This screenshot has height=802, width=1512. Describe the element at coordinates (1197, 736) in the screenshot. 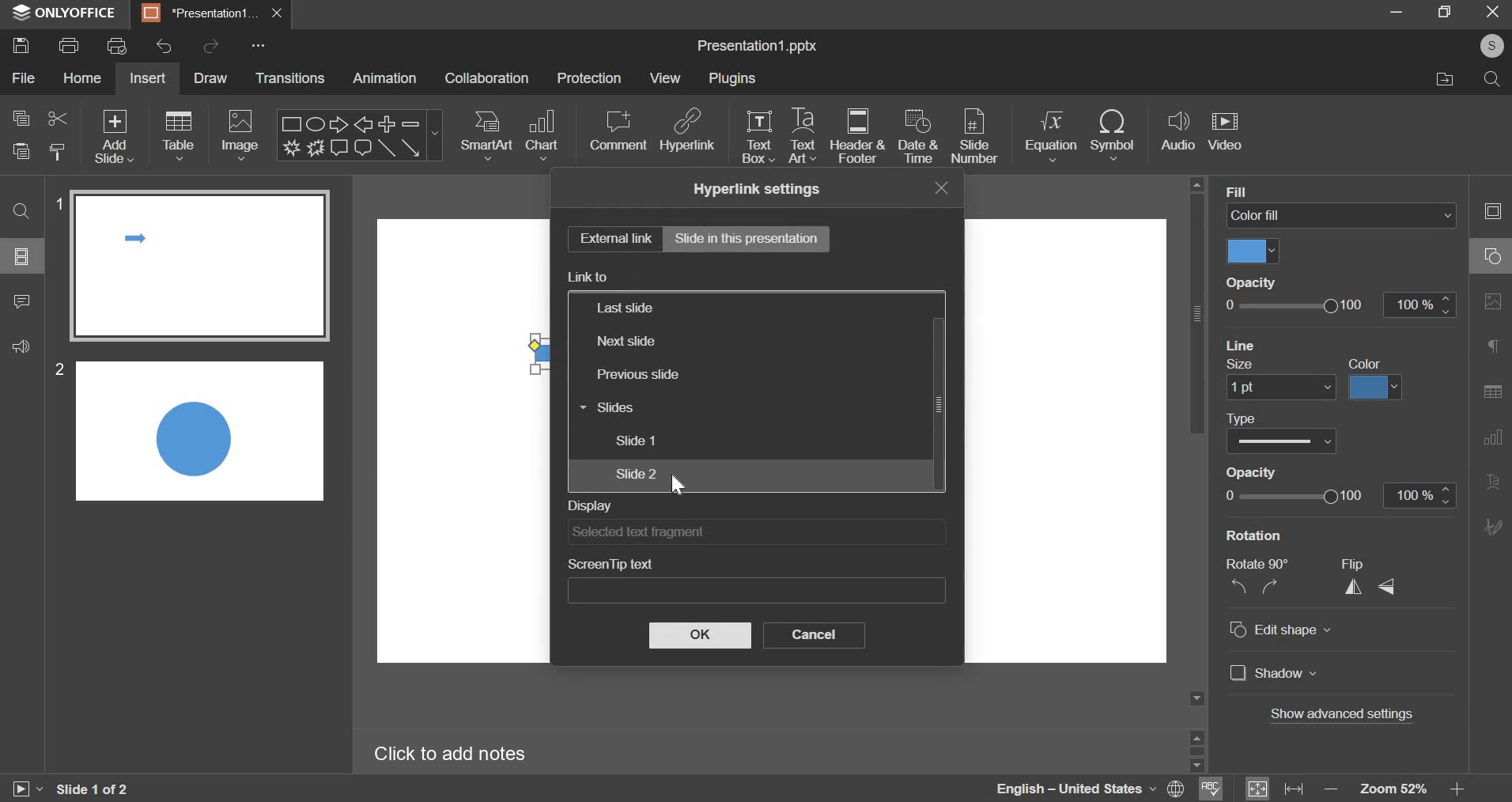

I see ` scroll up ` at that location.